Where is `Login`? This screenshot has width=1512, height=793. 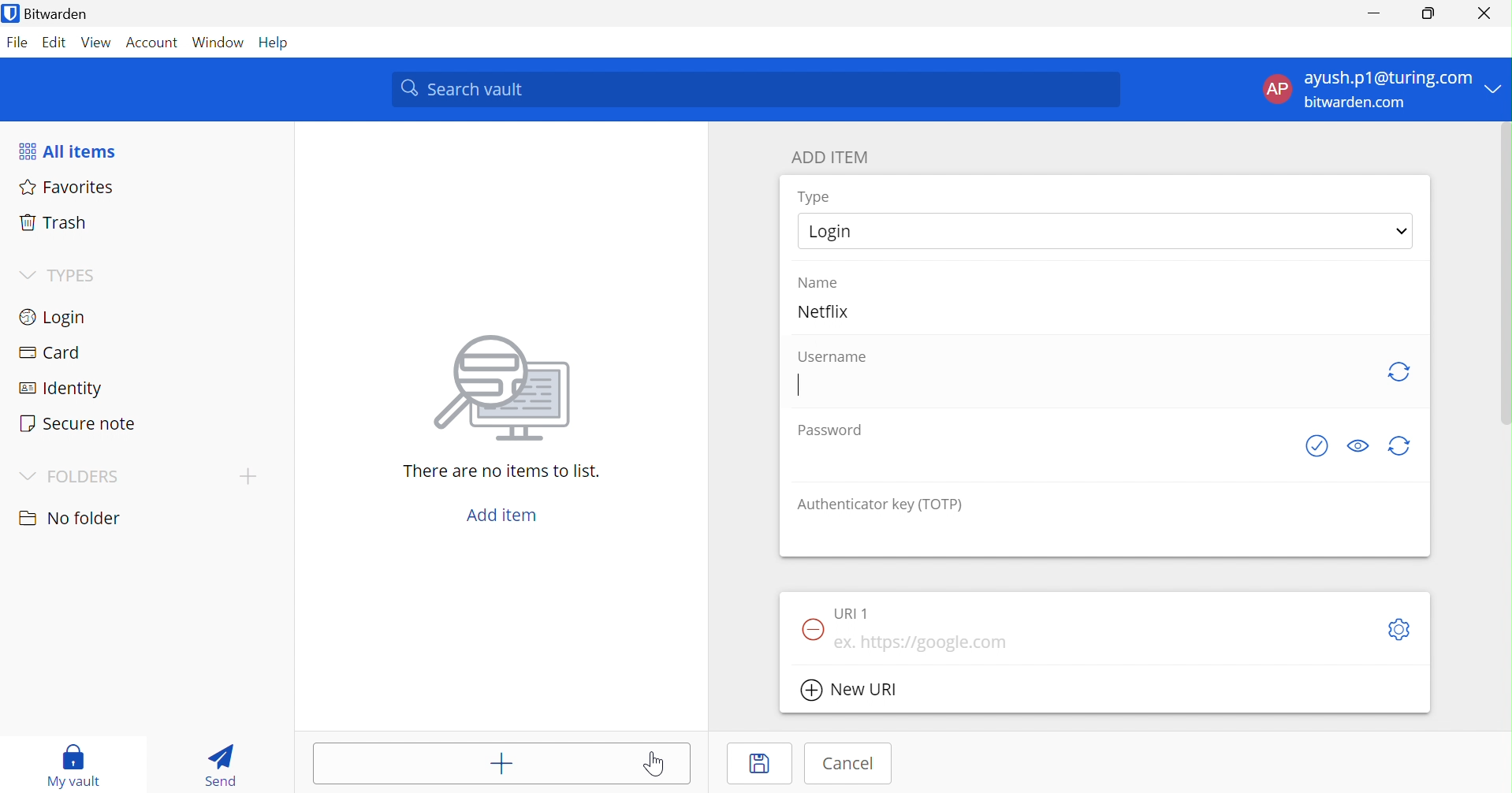 Login is located at coordinates (56, 316).